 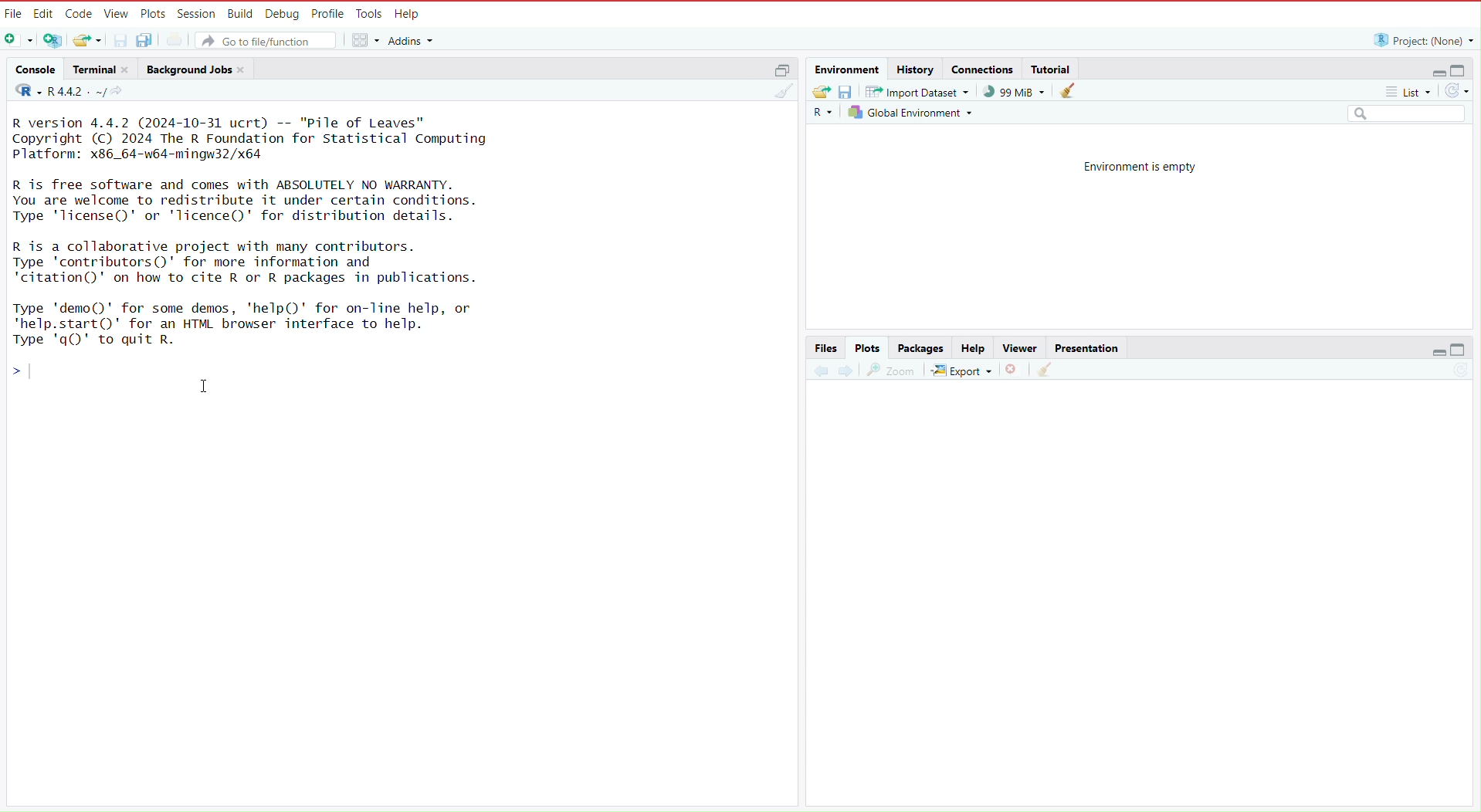 What do you see at coordinates (253, 199) in the screenshot?
I see `R is free software and comes with ABSOLUTELY NO WARRANTY.
You are welcome to redistribute it under certain conditions.
Type 'license()' or 'Ticence()' for distribution details.` at bounding box center [253, 199].